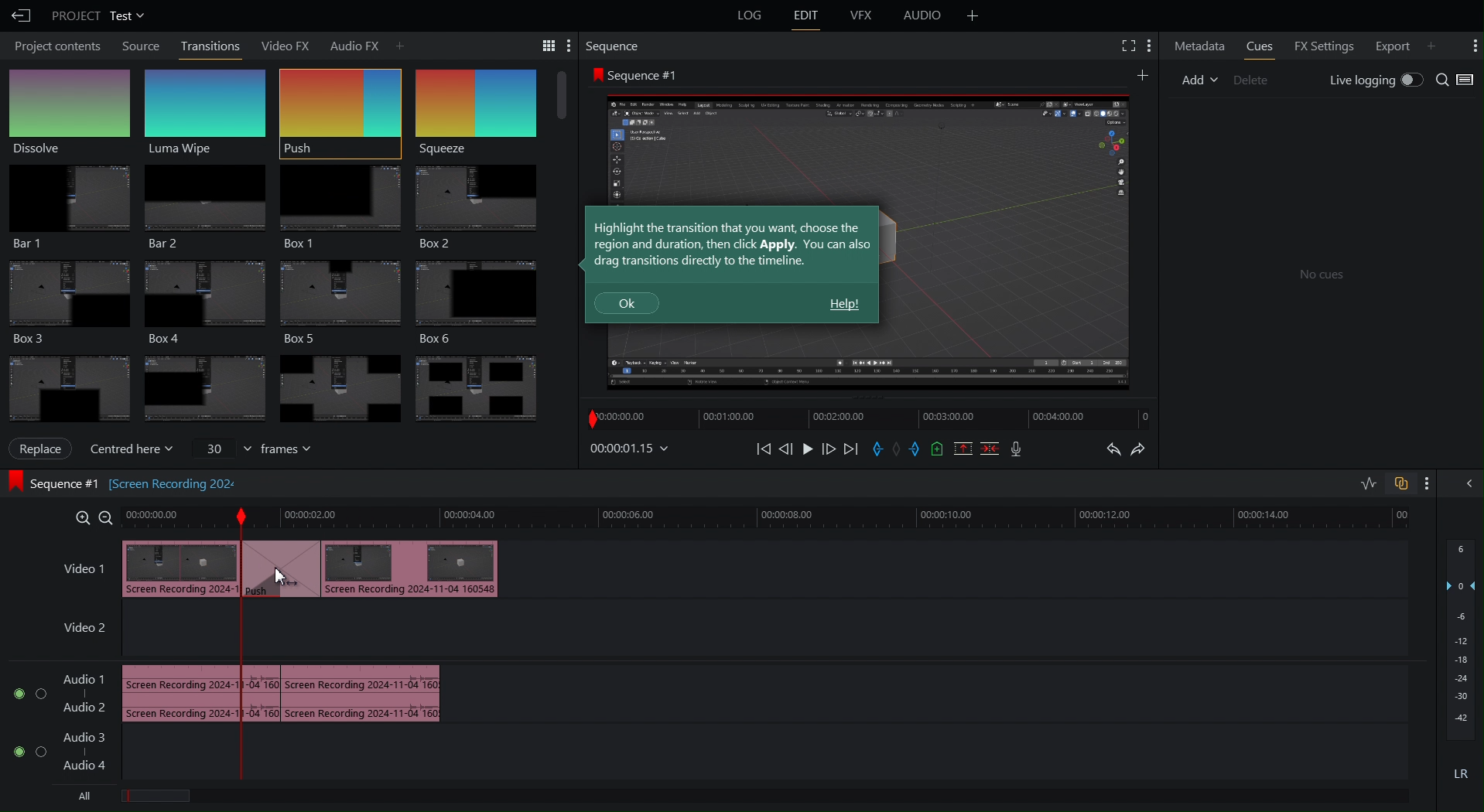 Image resolution: width=1484 pixels, height=812 pixels. Describe the element at coordinates (473, 113) in the screenshot. I see `Squeeze` at that location.